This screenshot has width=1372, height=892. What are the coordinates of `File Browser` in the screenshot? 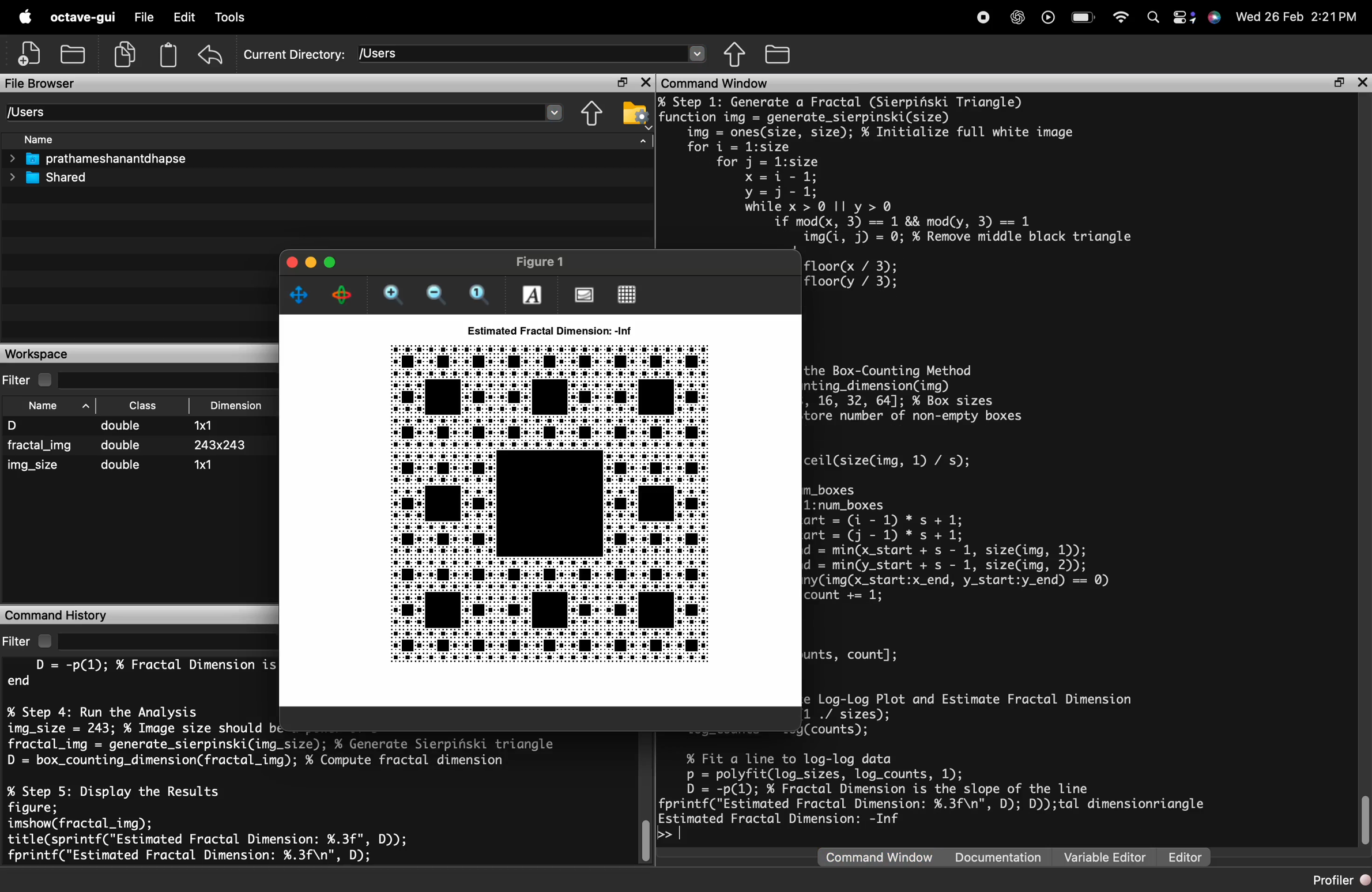 It's located at (43, 83).